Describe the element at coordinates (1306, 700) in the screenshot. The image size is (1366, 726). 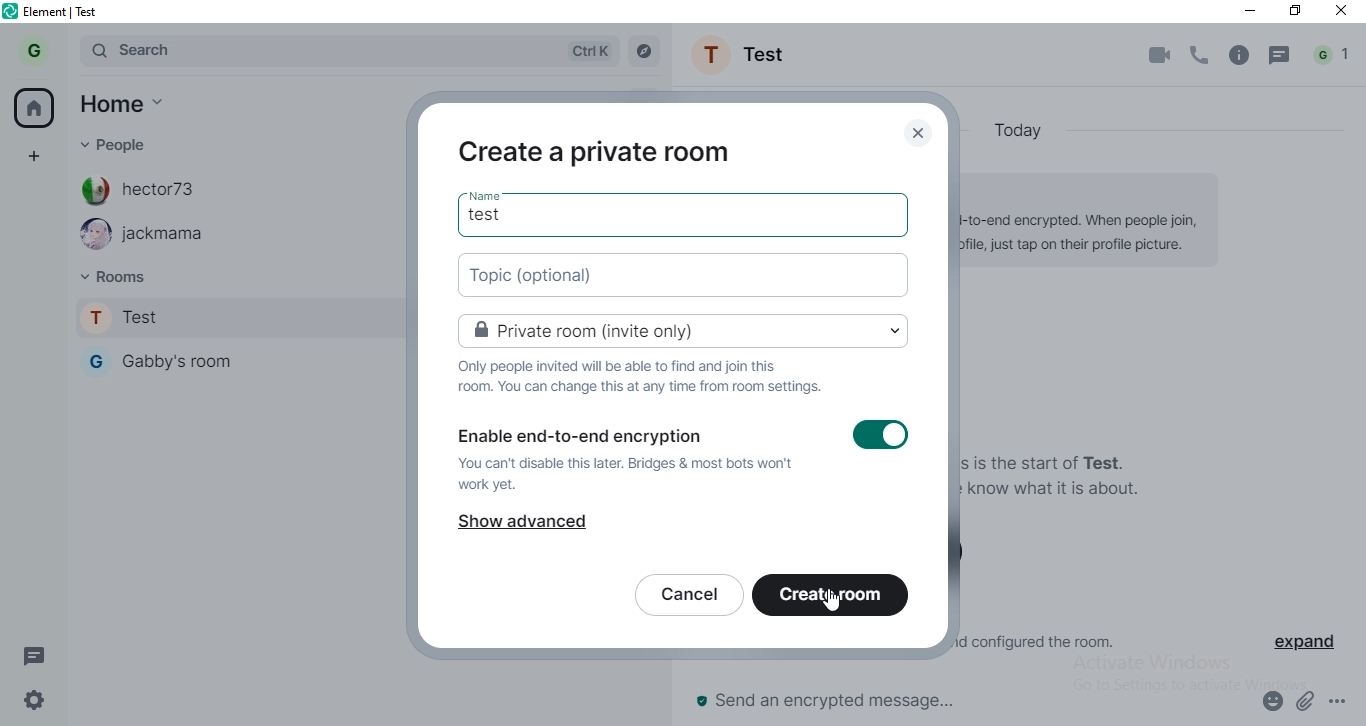
I see `attachment` at that location.